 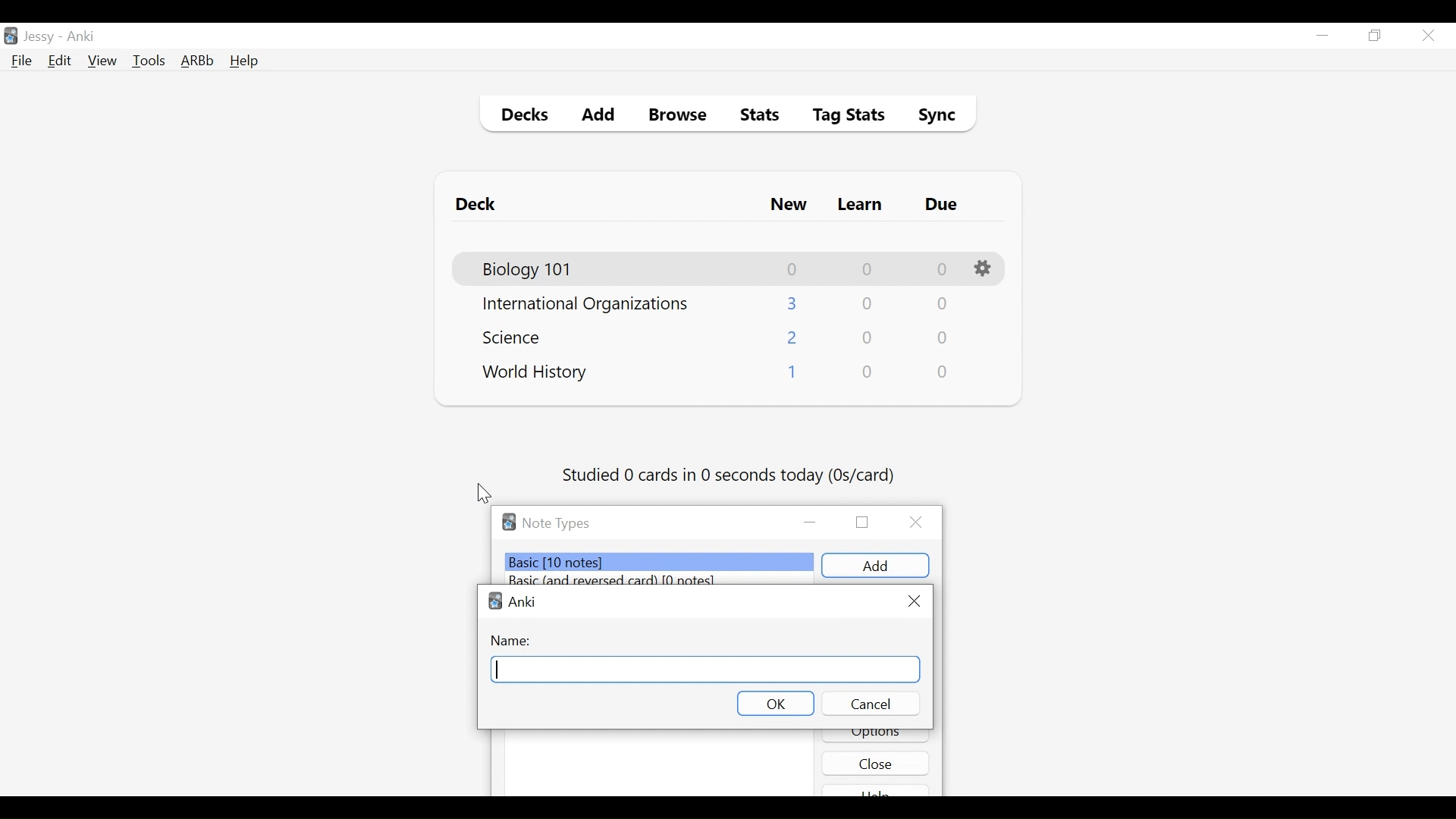 I want to click on minimize, so click(x=811, y=523).